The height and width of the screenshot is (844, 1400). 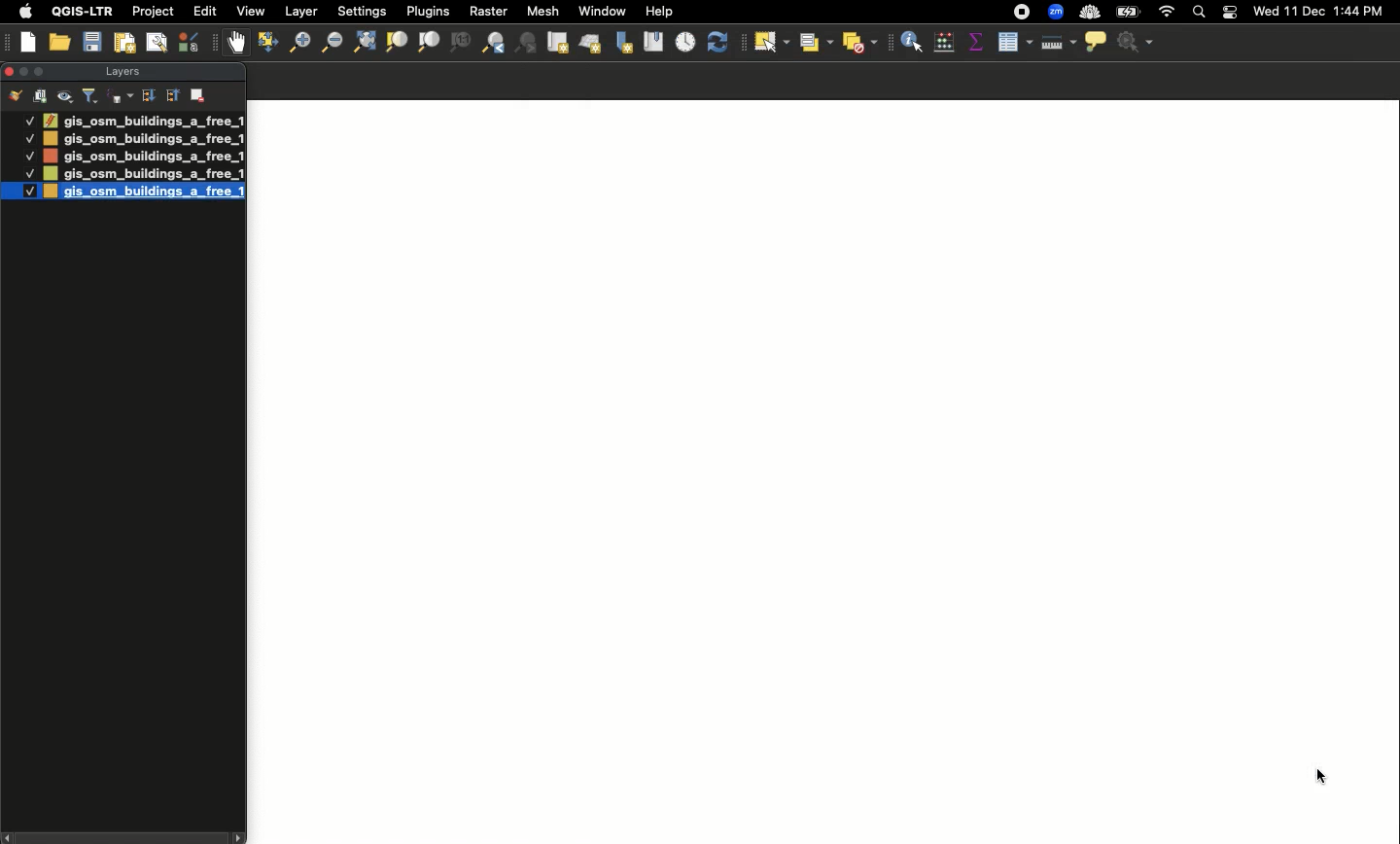 I want to click on 11 Dec, so click(x=1306, y=14).